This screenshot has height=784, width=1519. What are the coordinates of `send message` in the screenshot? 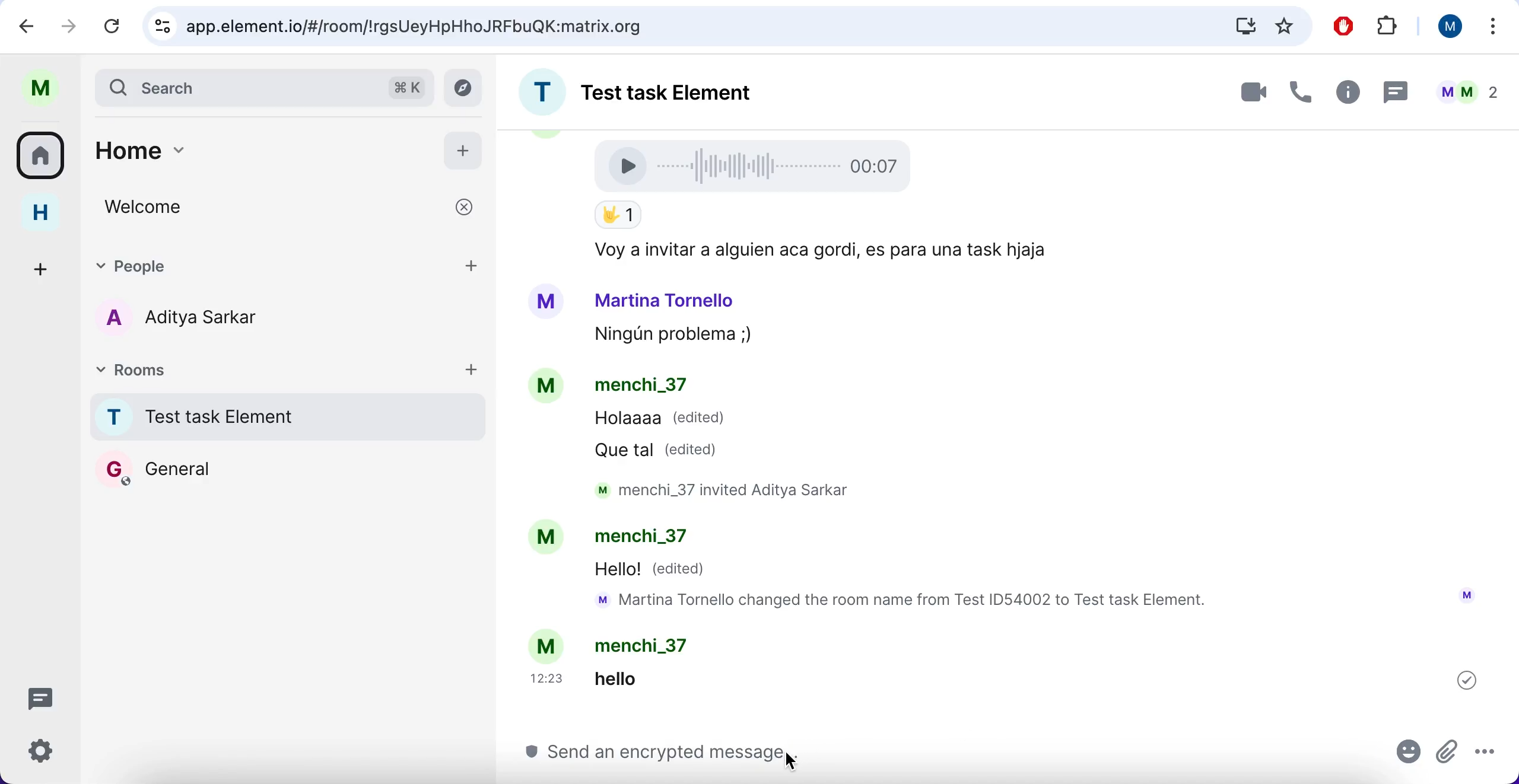 It's located at (940, 756).